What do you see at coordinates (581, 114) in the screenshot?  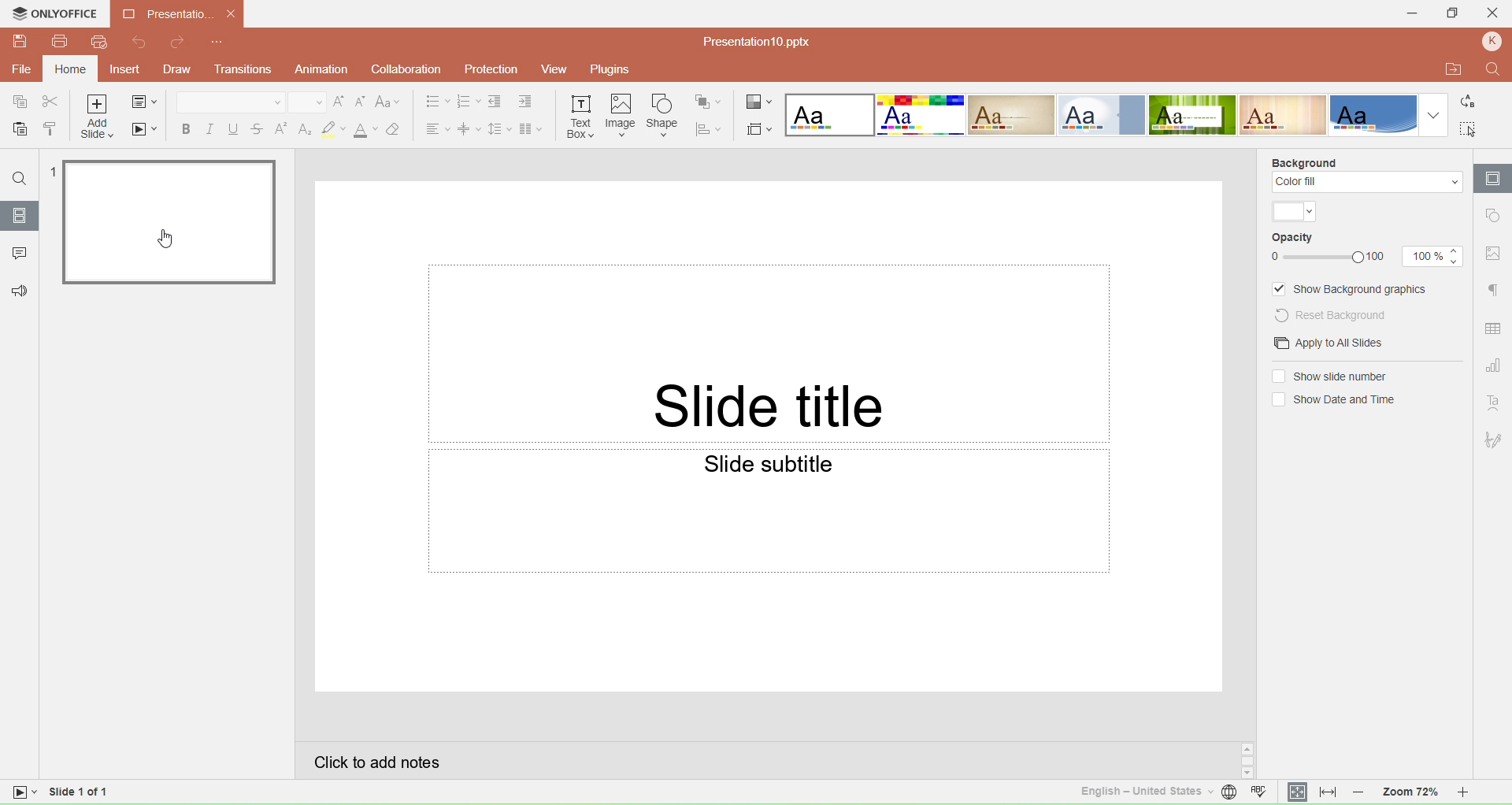 I see `Insert text box` at bounding box center [581, 114].